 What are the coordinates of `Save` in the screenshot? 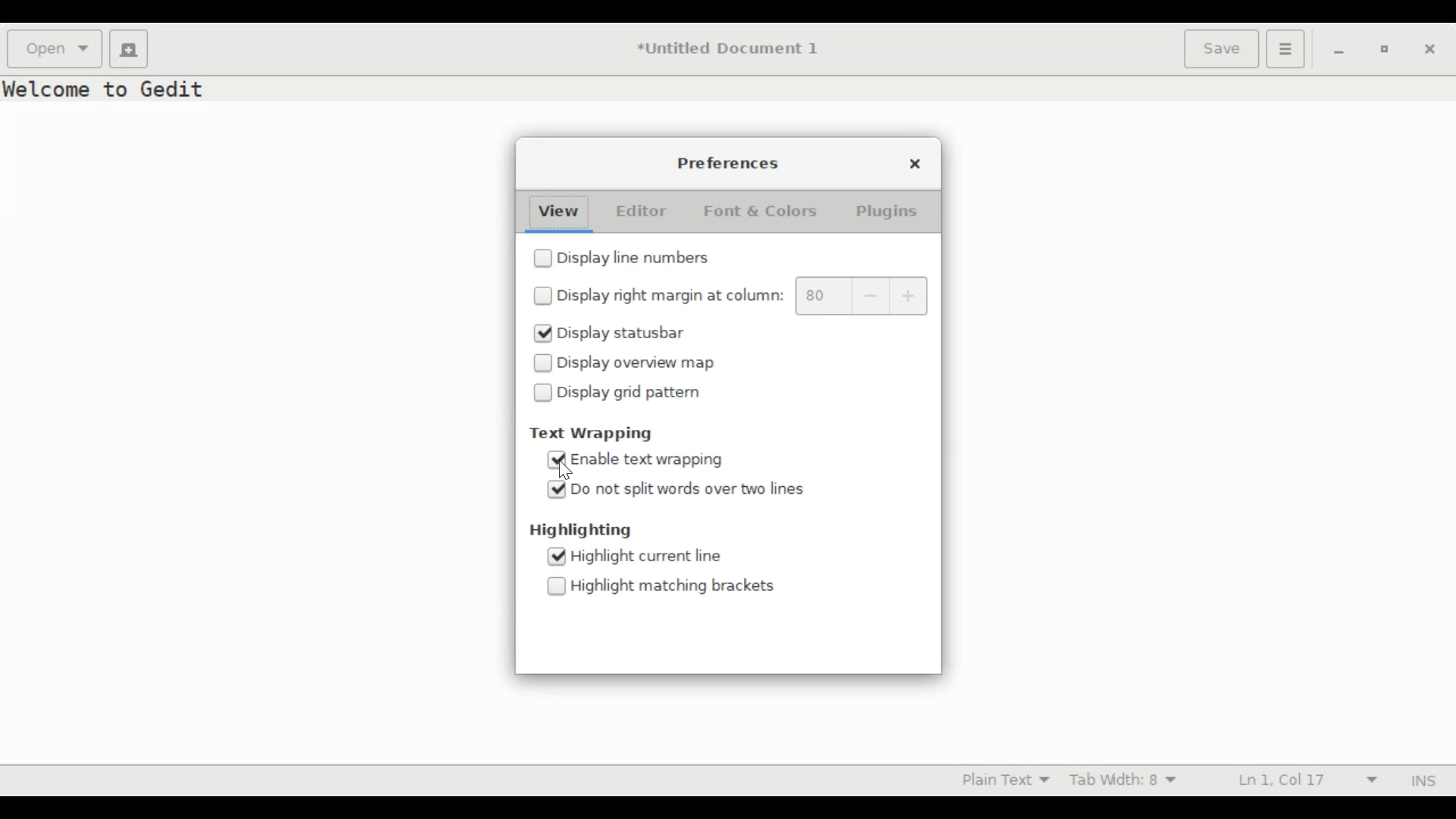 It's located at (1222, 50).